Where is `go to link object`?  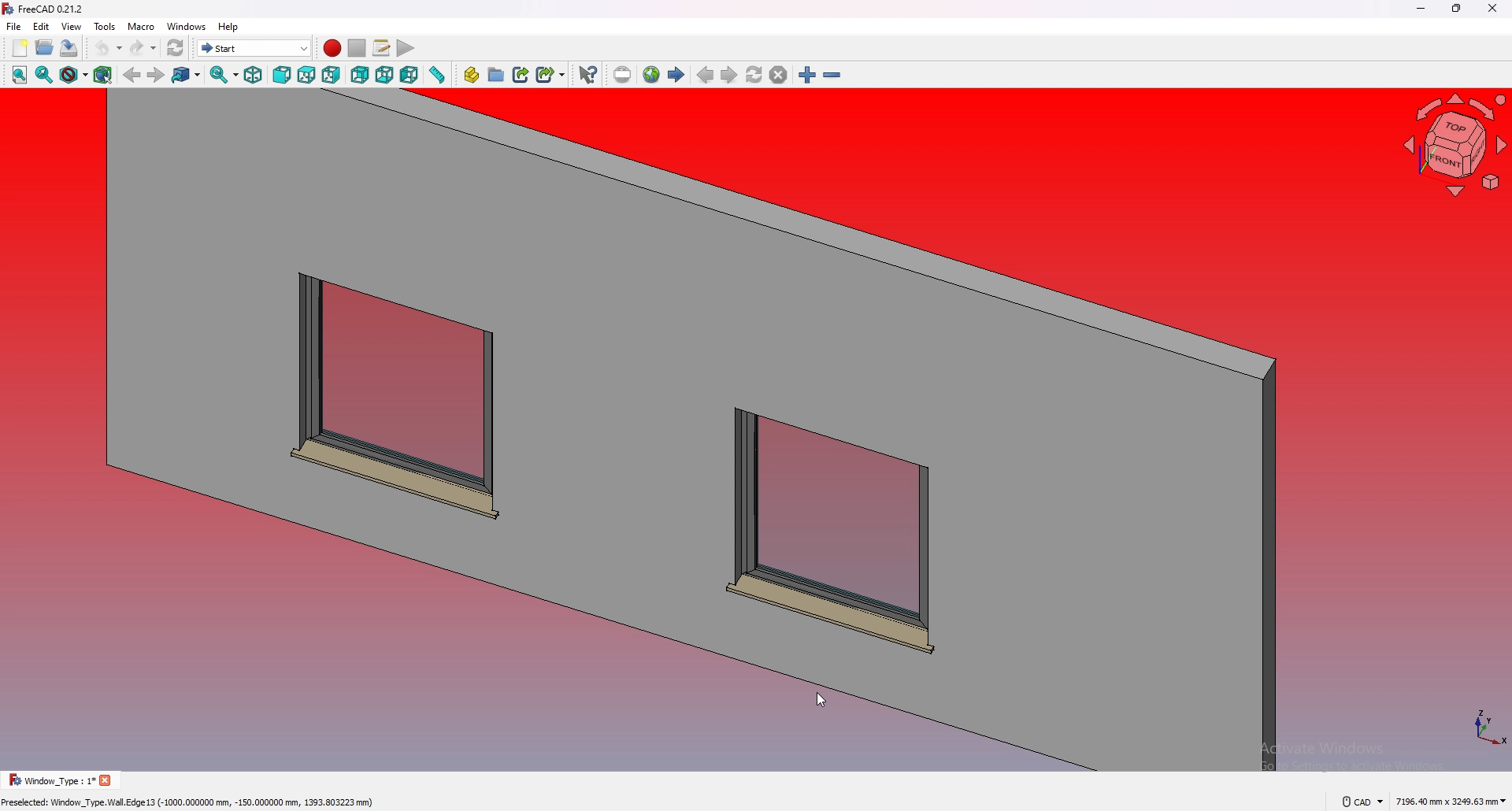 go to link object is located at coordinates (187, 76).